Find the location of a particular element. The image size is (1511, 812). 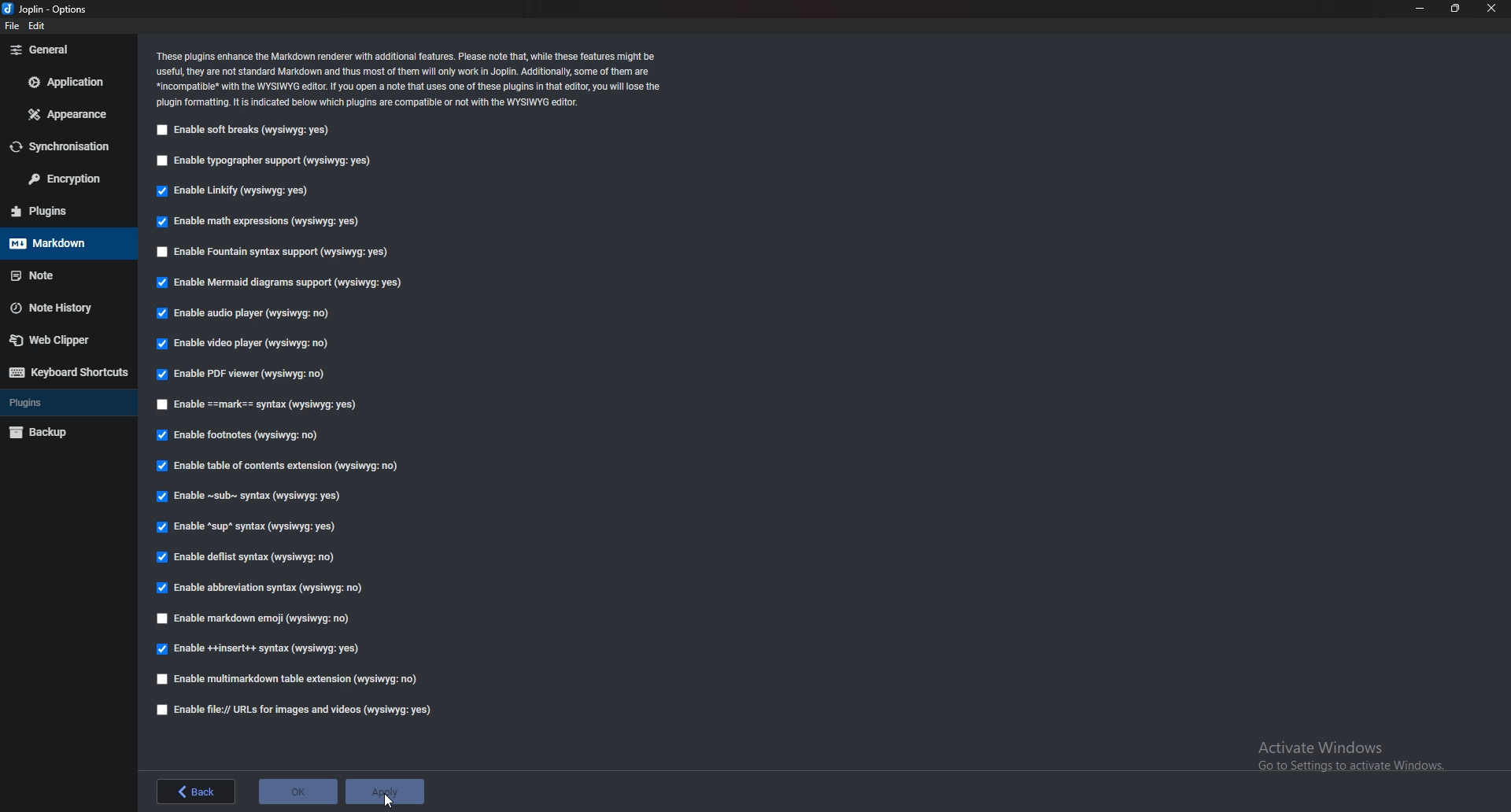

Enable Sup syntax is located at coordinates (250, 527).